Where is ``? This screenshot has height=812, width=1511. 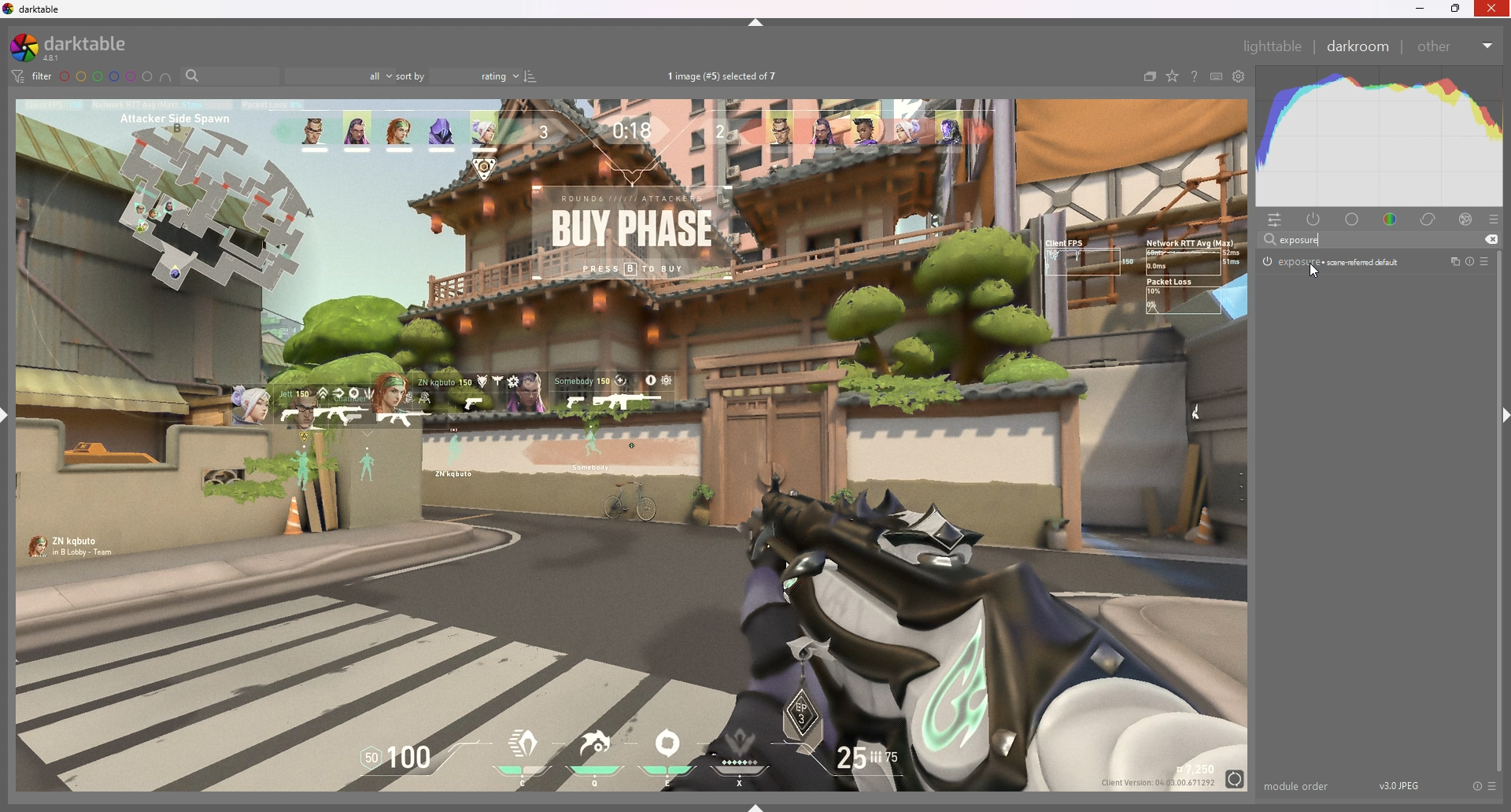
 is located at coordinates (1493, 11).